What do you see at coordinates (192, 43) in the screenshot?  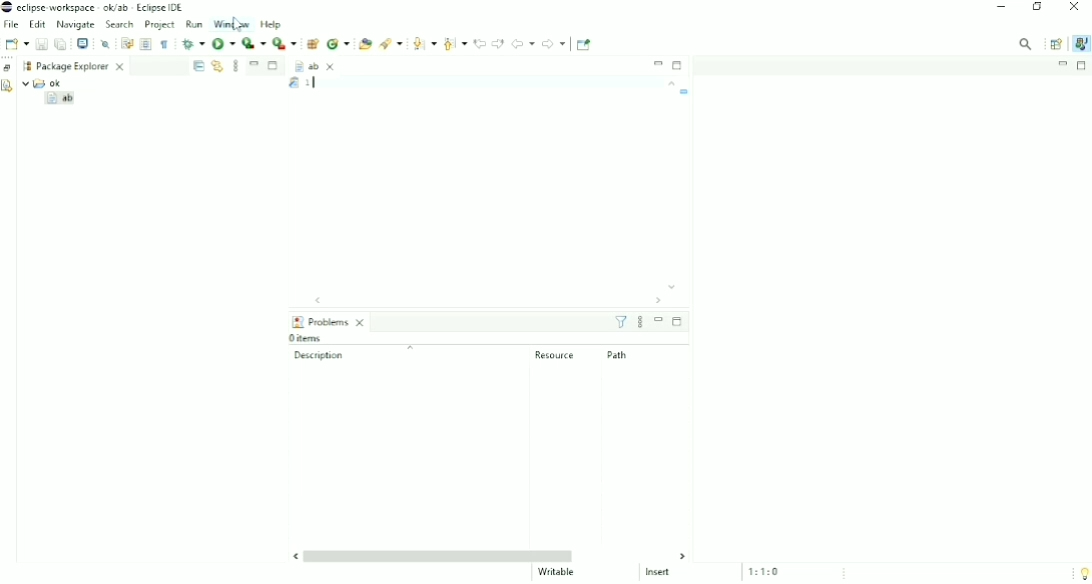 I see `Debug` at bounding box center [192, 43].